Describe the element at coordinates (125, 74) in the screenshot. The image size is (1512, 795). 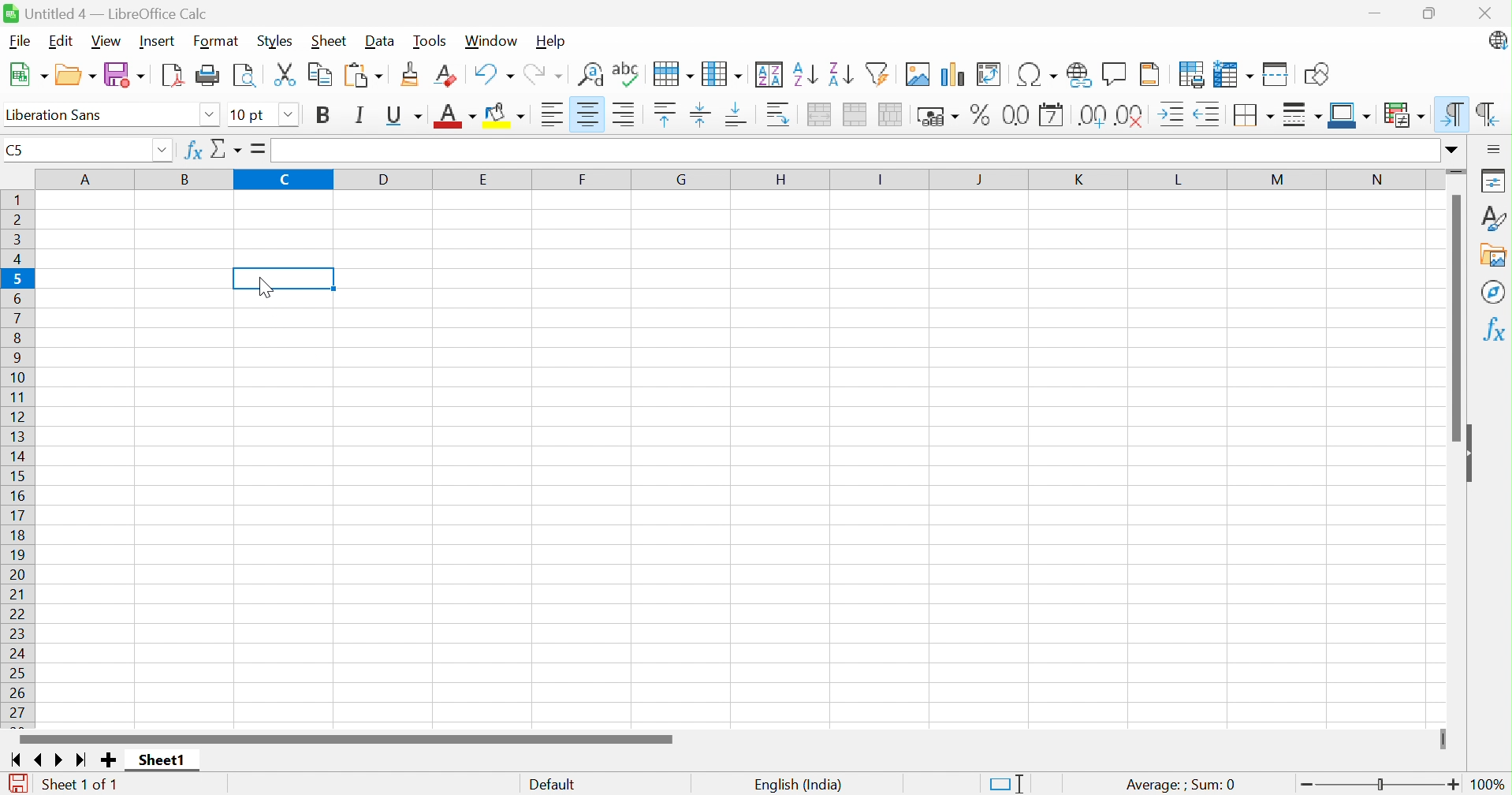
I see `Save` at that location.